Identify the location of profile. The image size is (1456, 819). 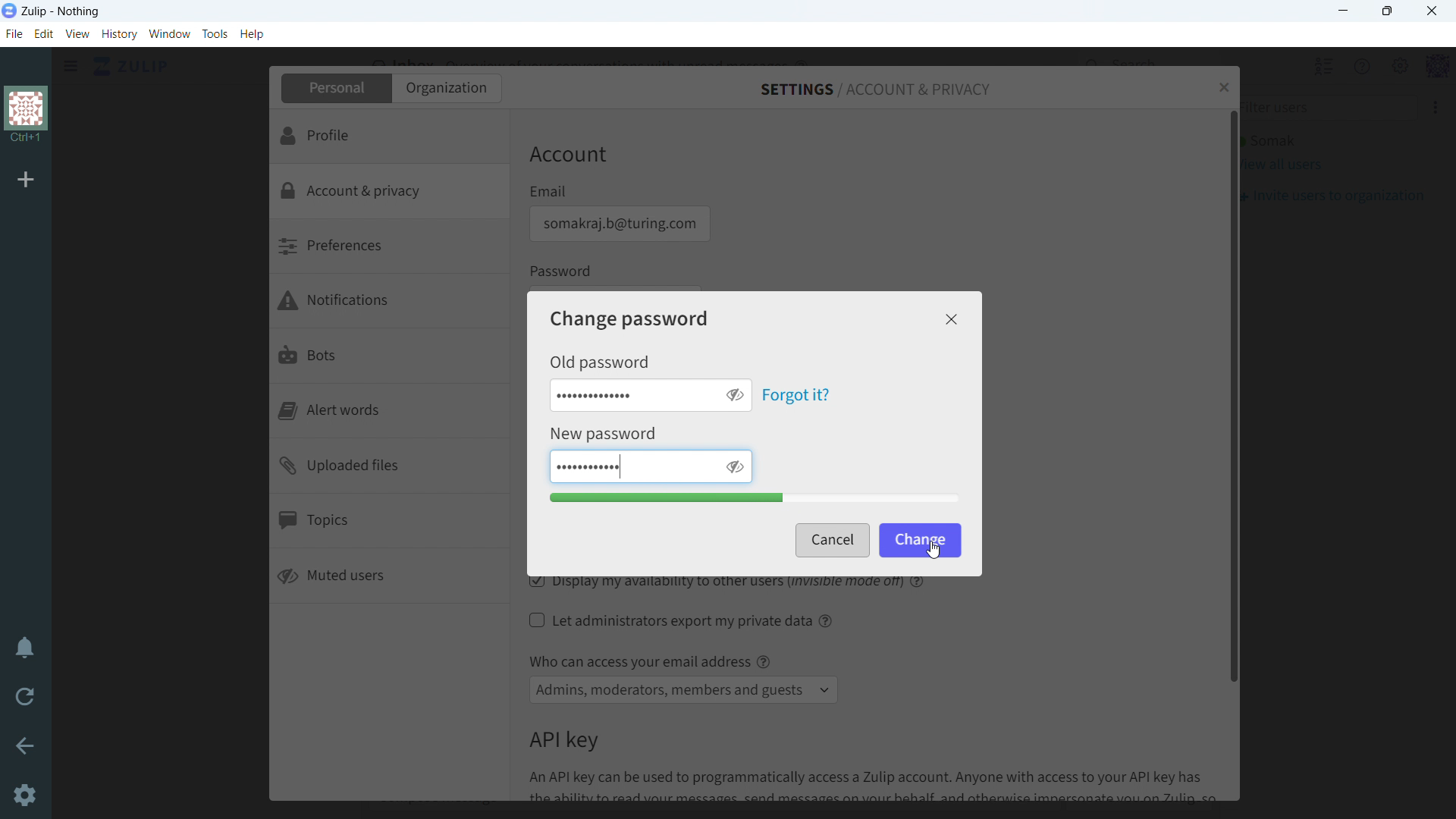
(388, 136).